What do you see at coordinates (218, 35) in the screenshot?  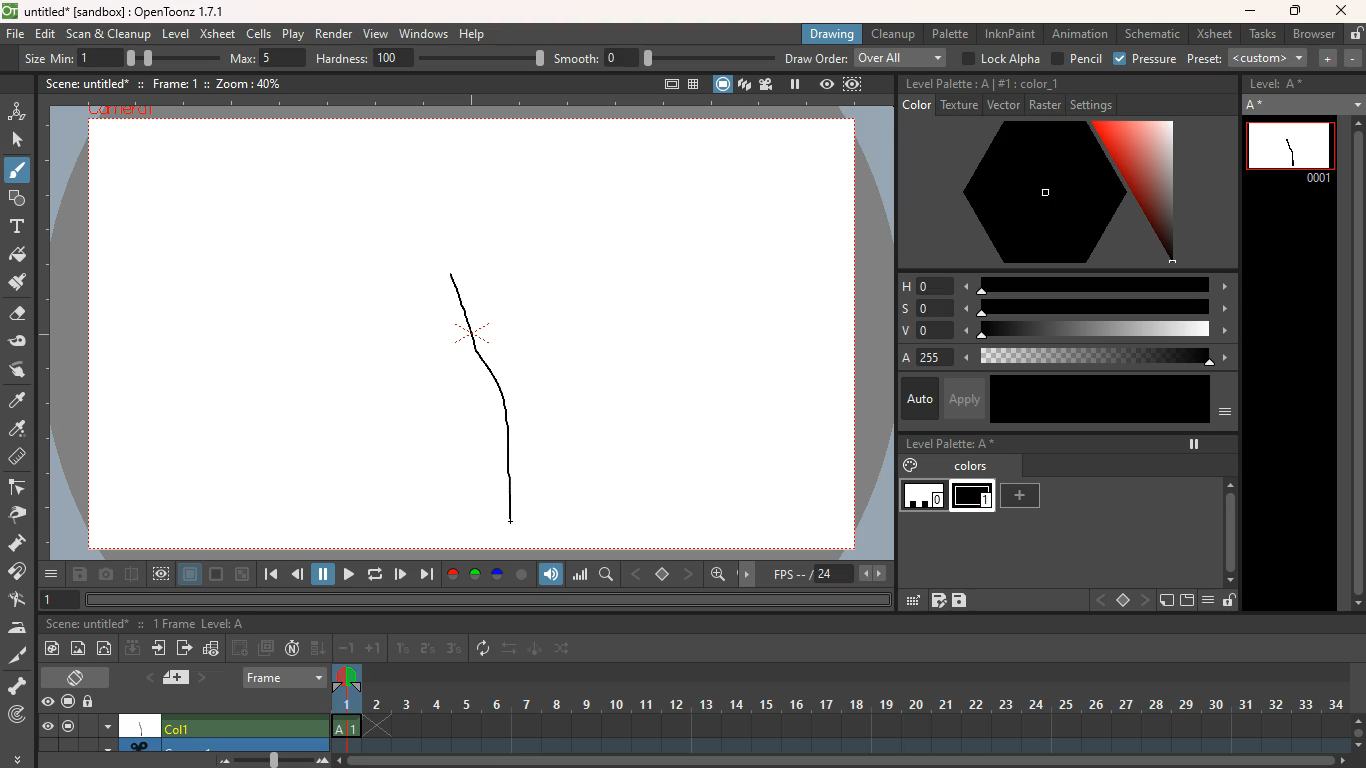 I see `xsheet` at bounding box center [218, 35].